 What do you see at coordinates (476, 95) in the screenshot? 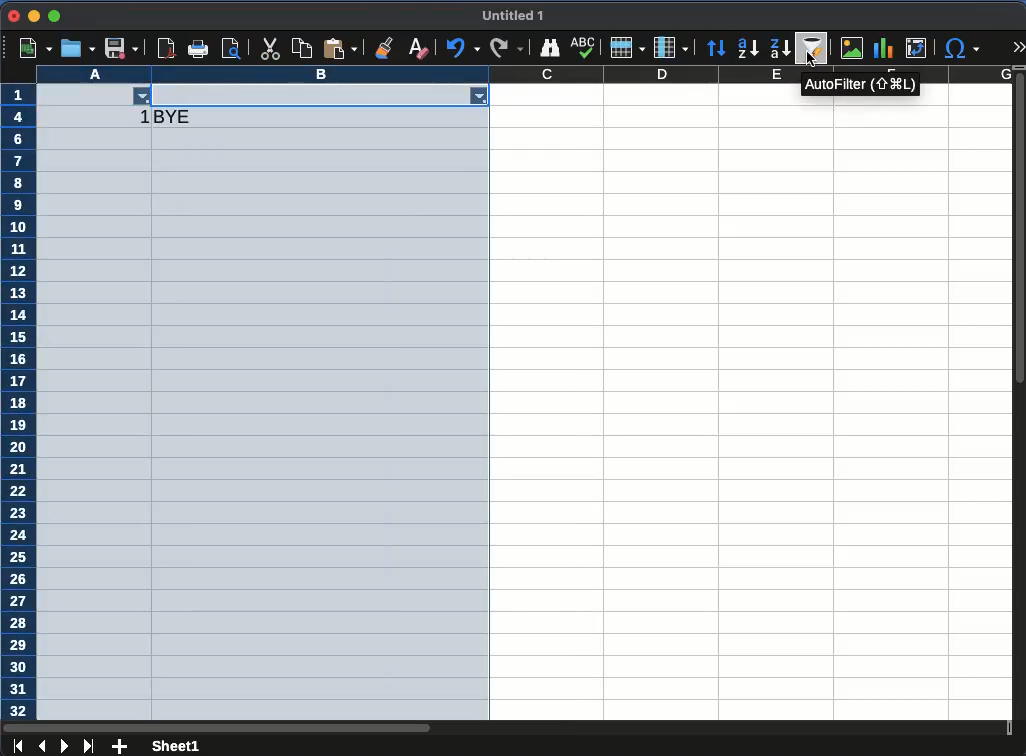
I see `filter` at bounding box center [476, 95].